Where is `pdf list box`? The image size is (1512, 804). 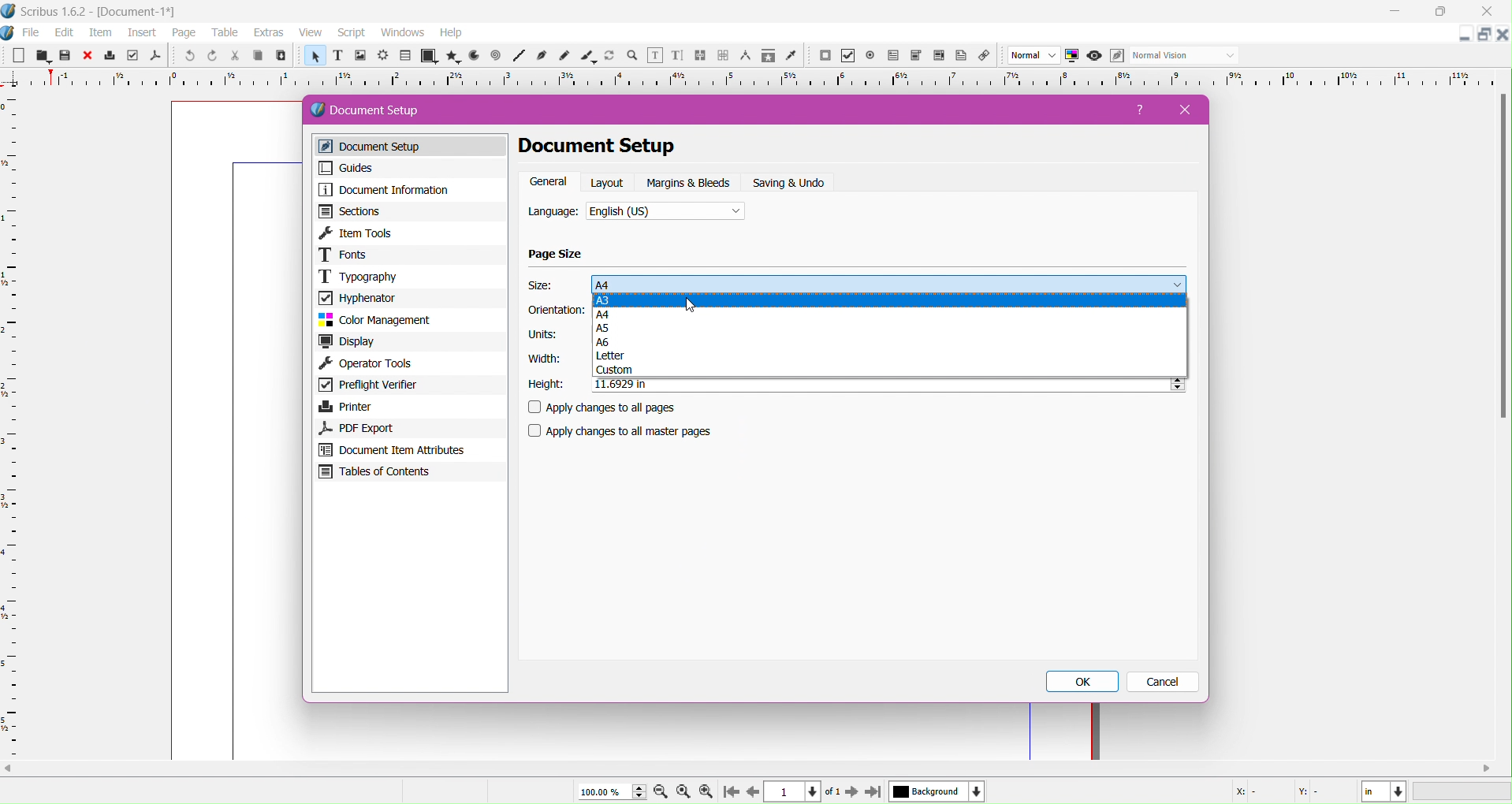 pdf list box is located at coordinates (916, 56).